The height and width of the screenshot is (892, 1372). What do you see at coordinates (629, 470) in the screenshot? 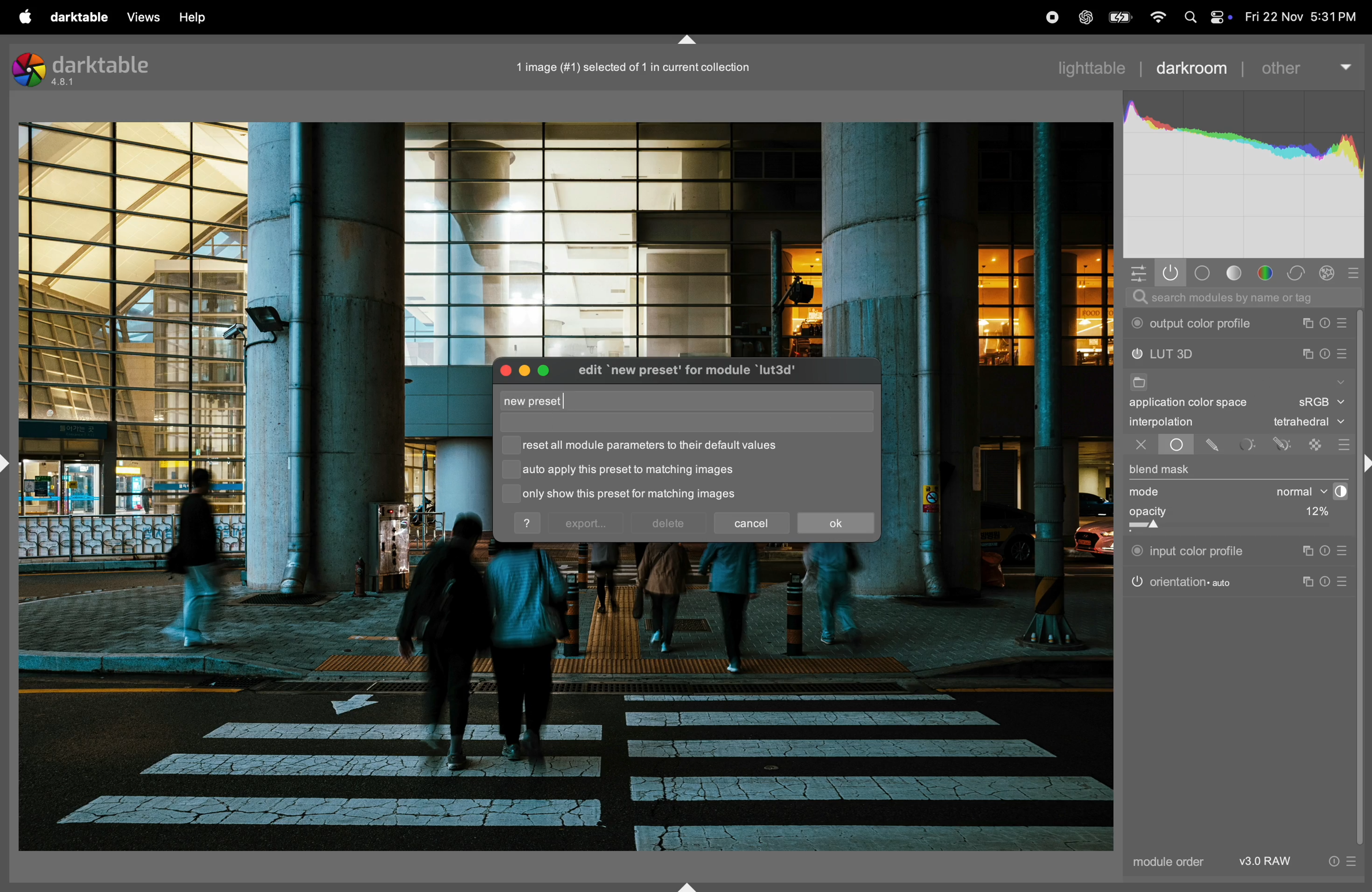
I see `auto apply presets to images` at bounding box center [629, 470].